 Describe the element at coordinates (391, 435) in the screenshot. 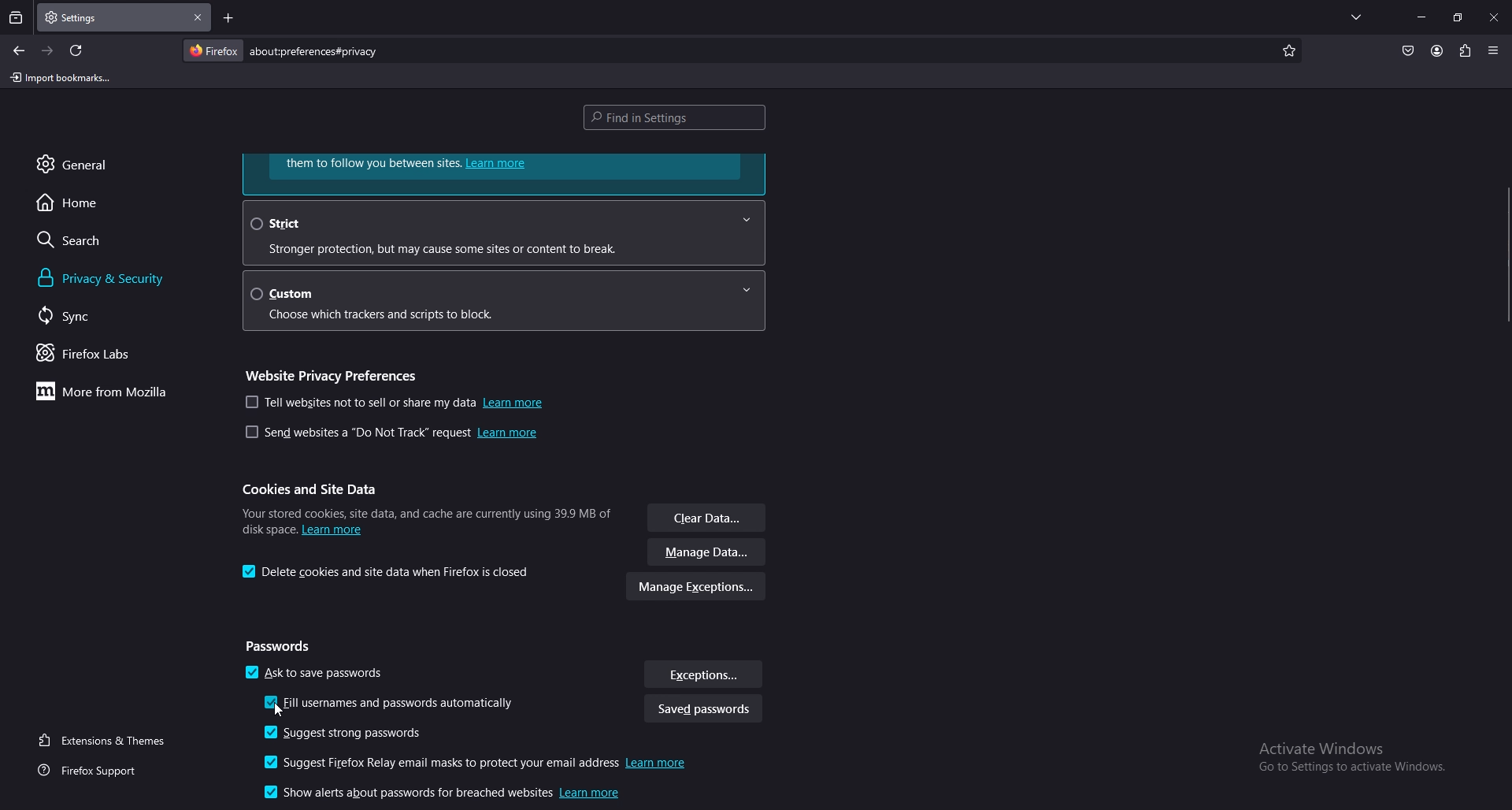

I see `send website do not track request` at that location.